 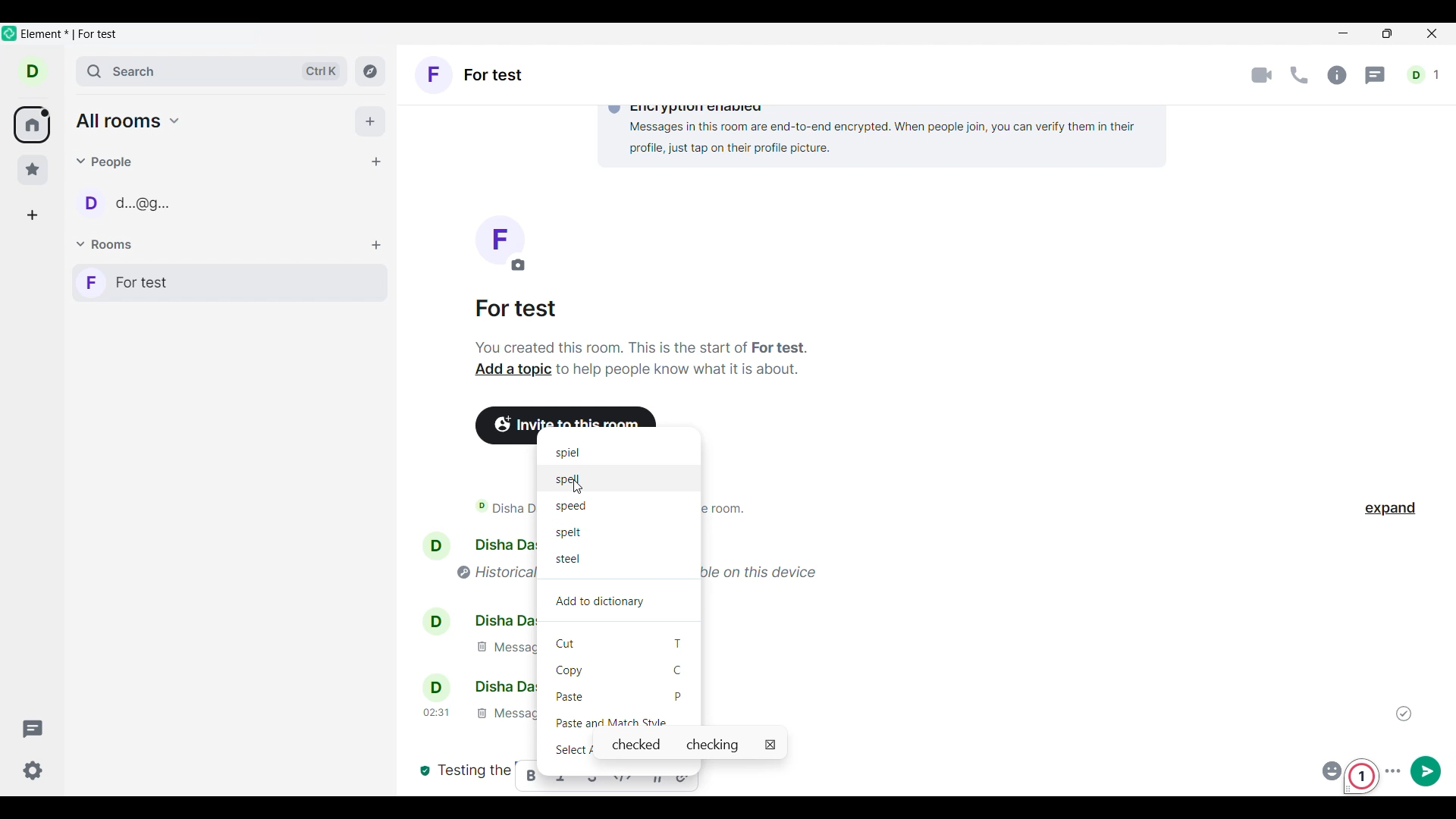 What do you see at coordinates (39, 74) in the screenshot?
I see `D` at bounding box center [39, 74].